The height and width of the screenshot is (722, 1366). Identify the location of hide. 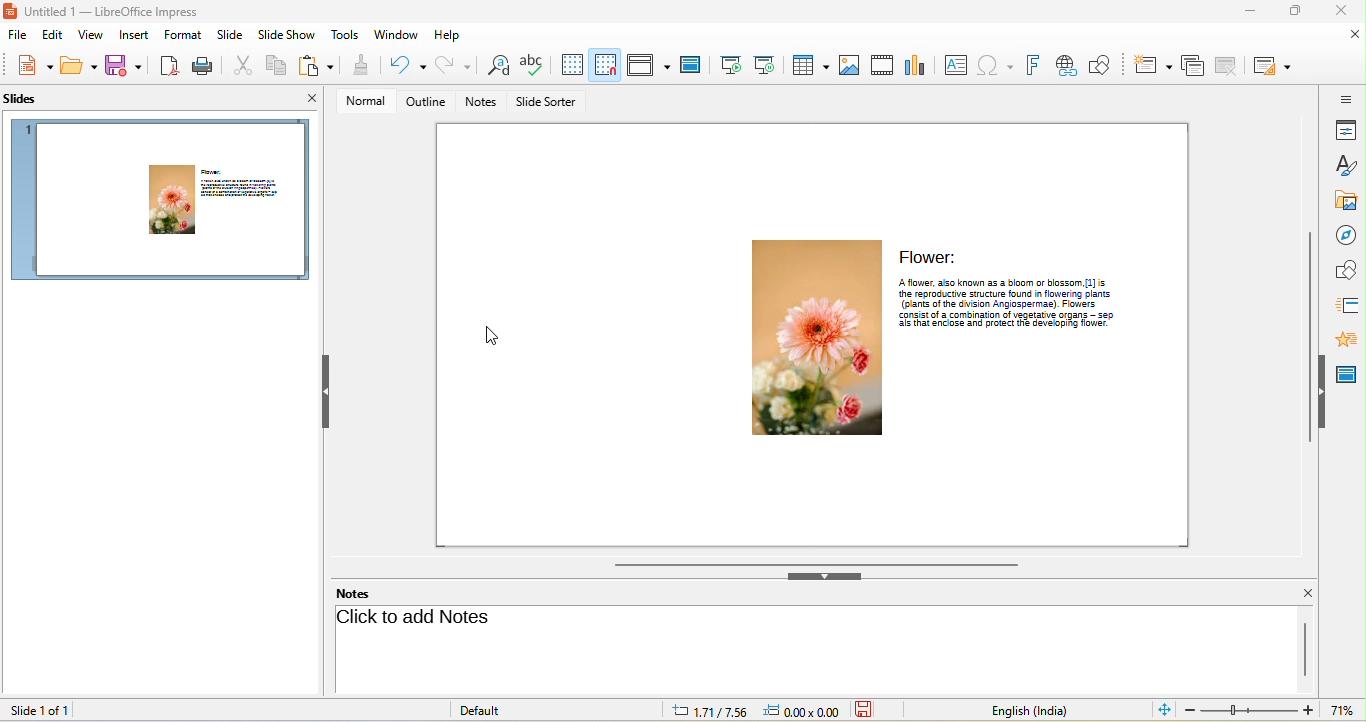
(330, 394).